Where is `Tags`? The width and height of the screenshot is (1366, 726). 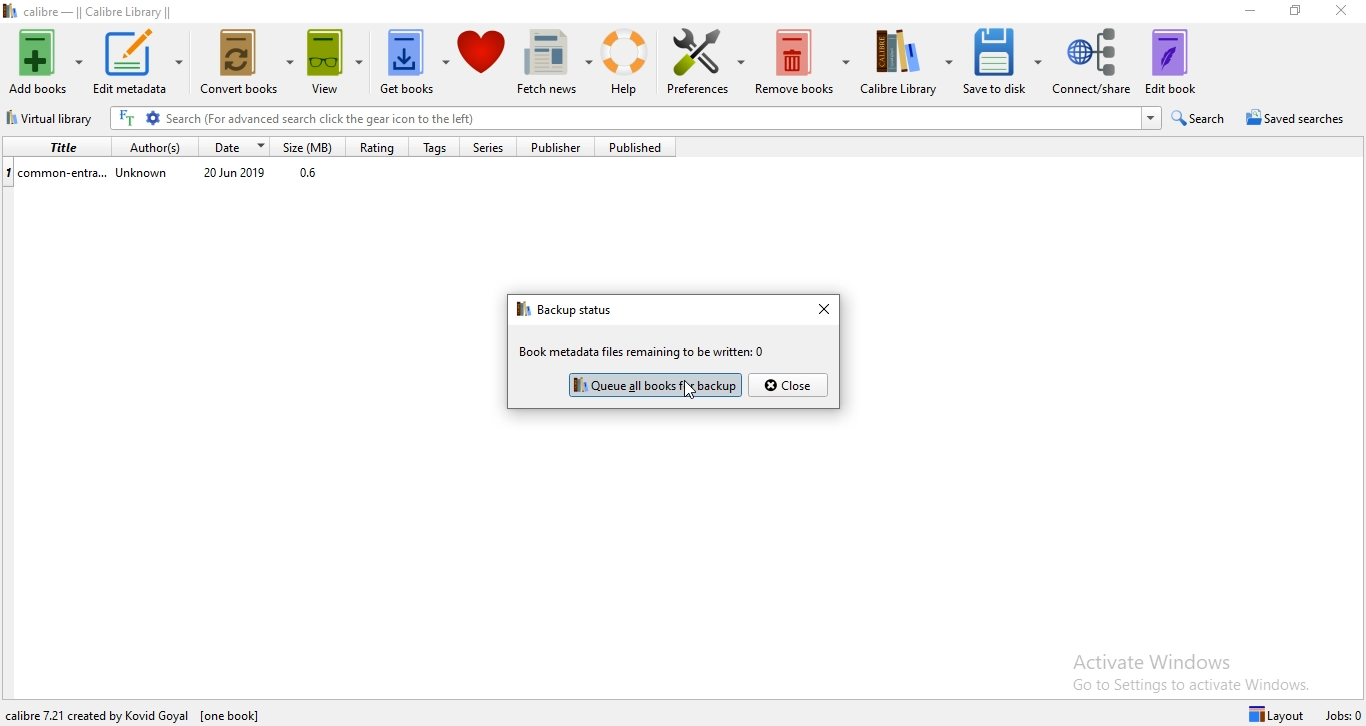 Tags is located at coordinates (433, 148).